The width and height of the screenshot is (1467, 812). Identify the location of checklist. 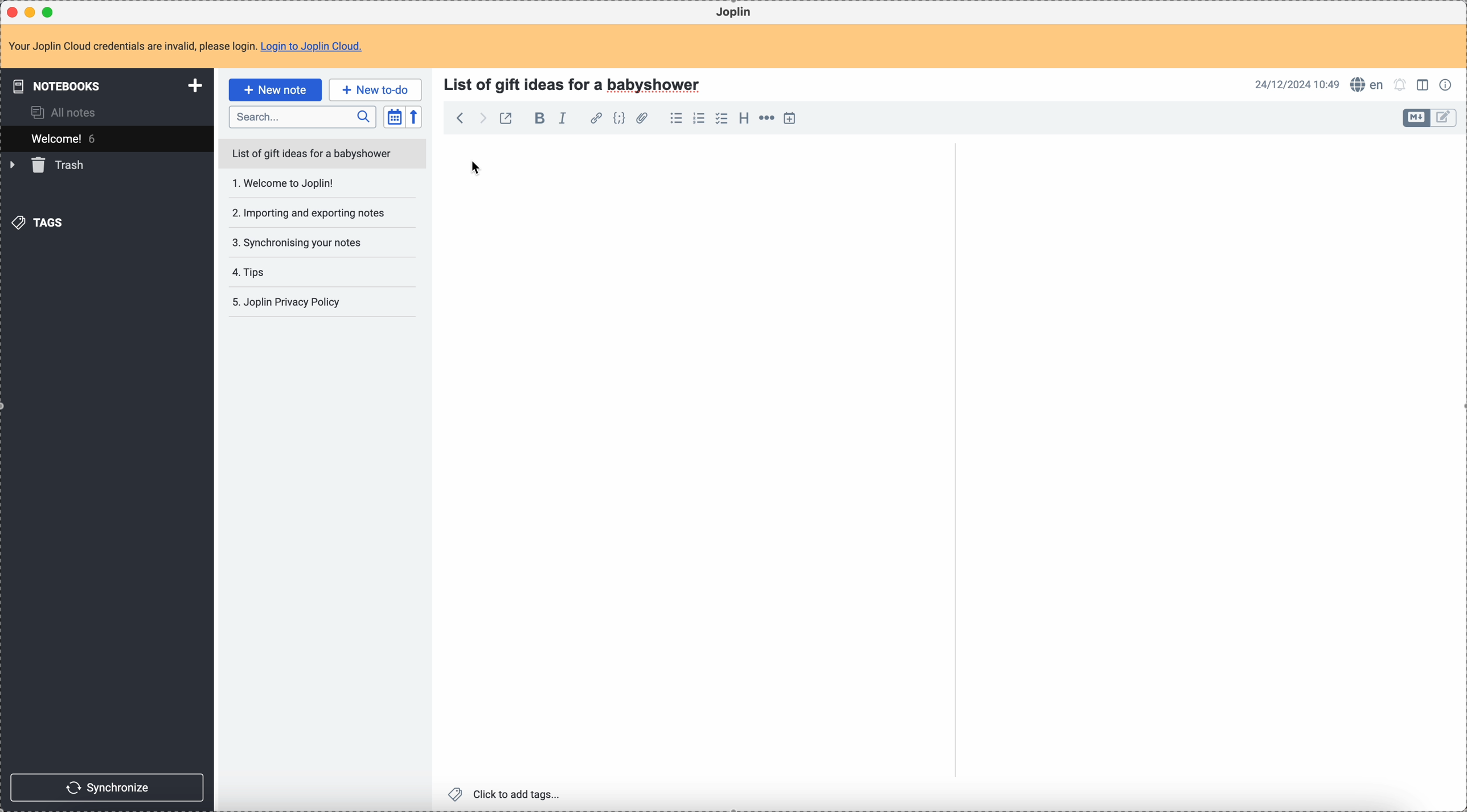
(722, 119).